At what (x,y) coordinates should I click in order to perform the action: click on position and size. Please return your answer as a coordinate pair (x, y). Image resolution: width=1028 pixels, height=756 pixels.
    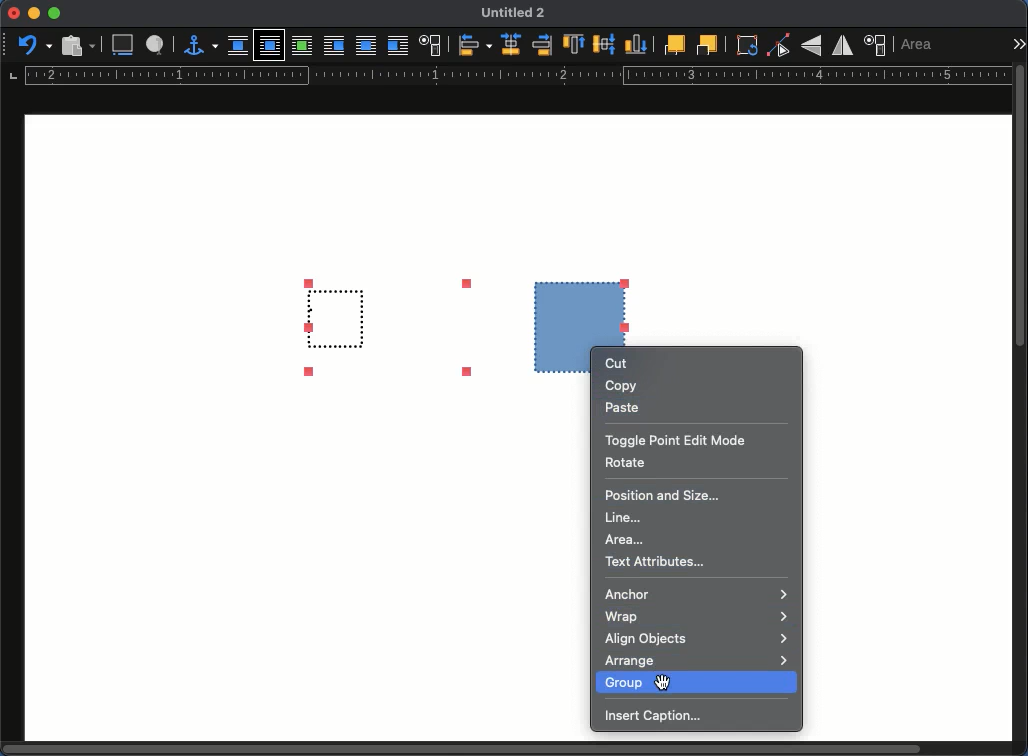
    Looking at the image, I should click on (877, 44).